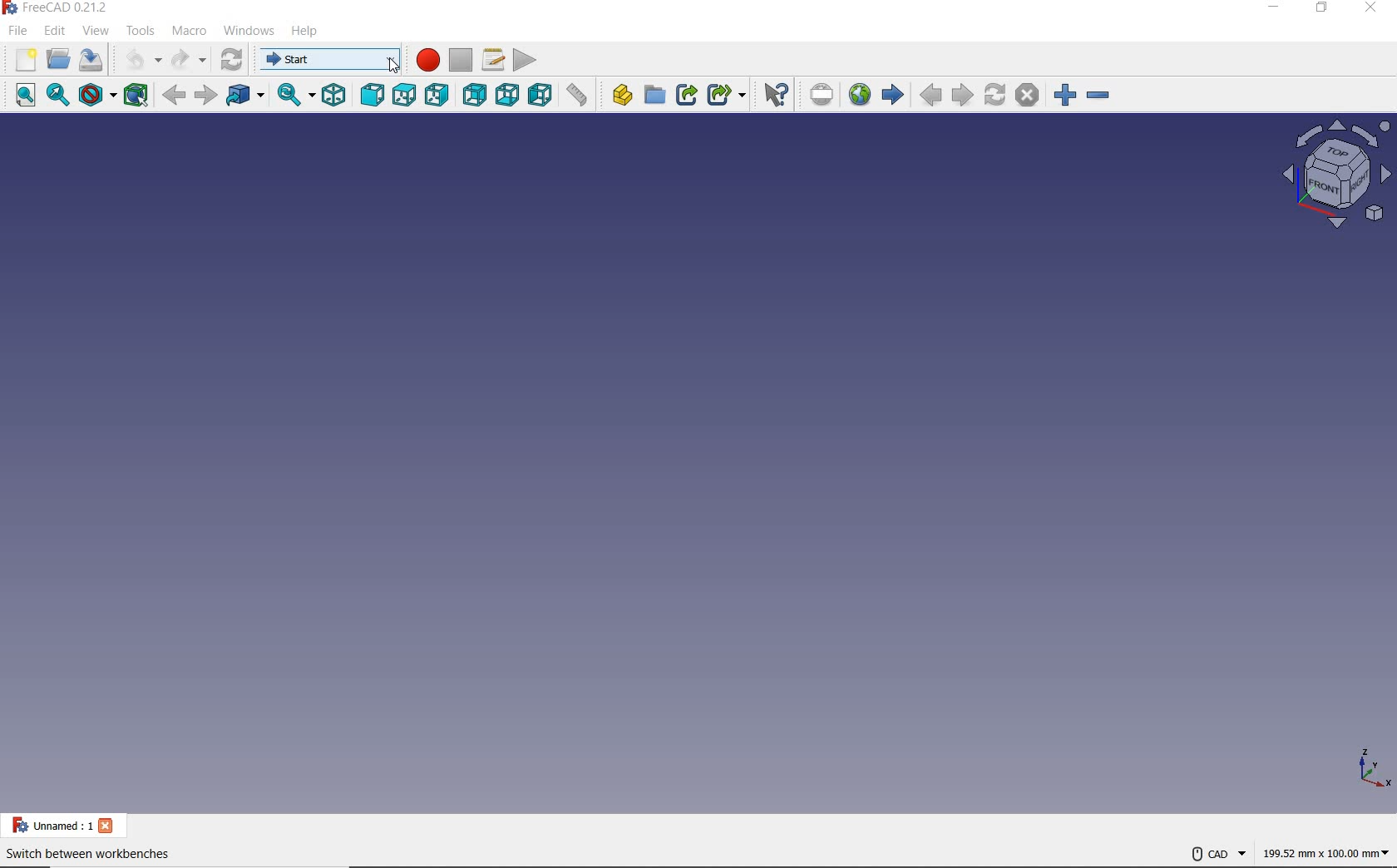 This screenshot has width=1397, height=868. What do you see at coordinates (97, 31) in the screenshot?
I see `VIEW` at bounding box center [97, 31].